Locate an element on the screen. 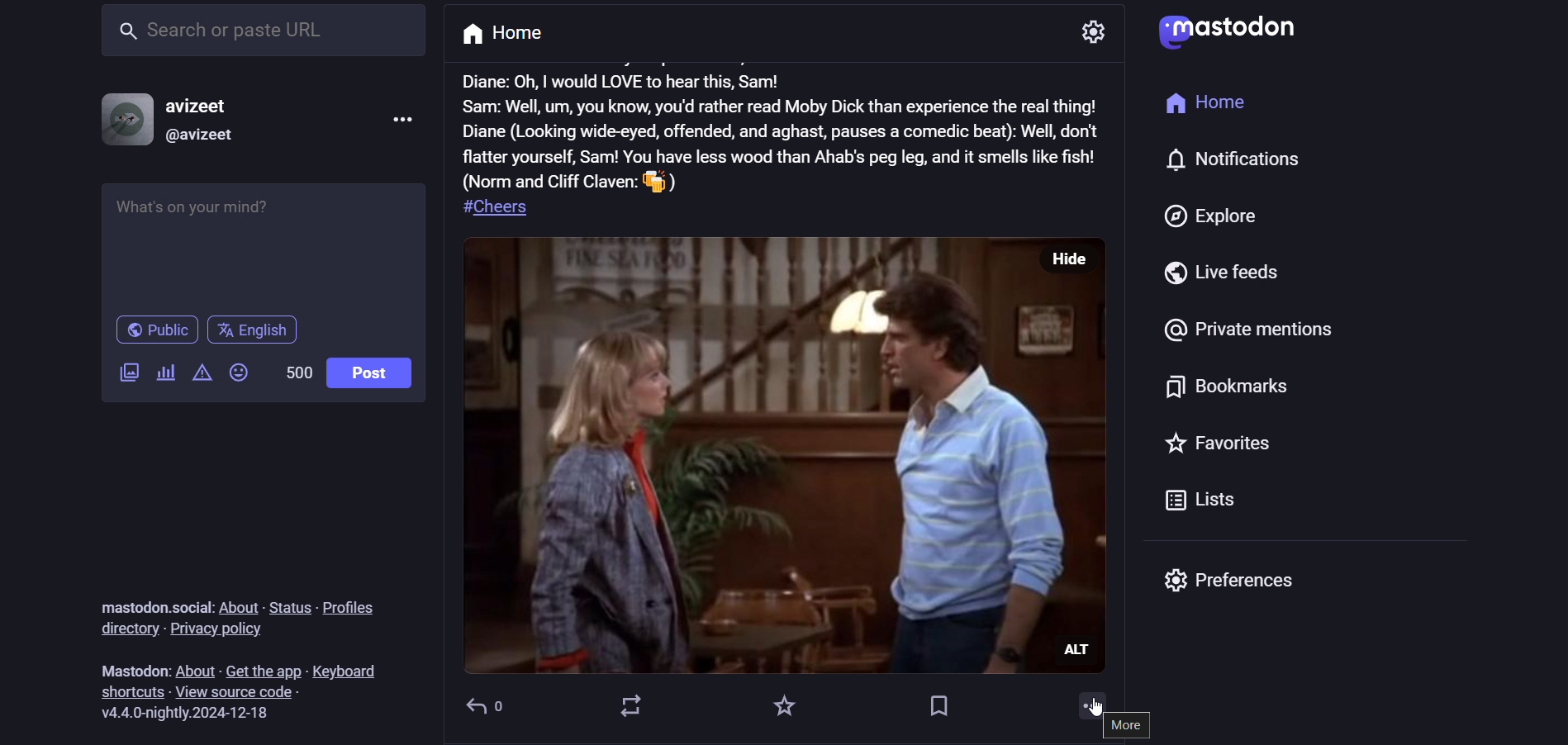 The width and height of the screenshot is (1568, 745). explore is located at coordinates (1217, 215).